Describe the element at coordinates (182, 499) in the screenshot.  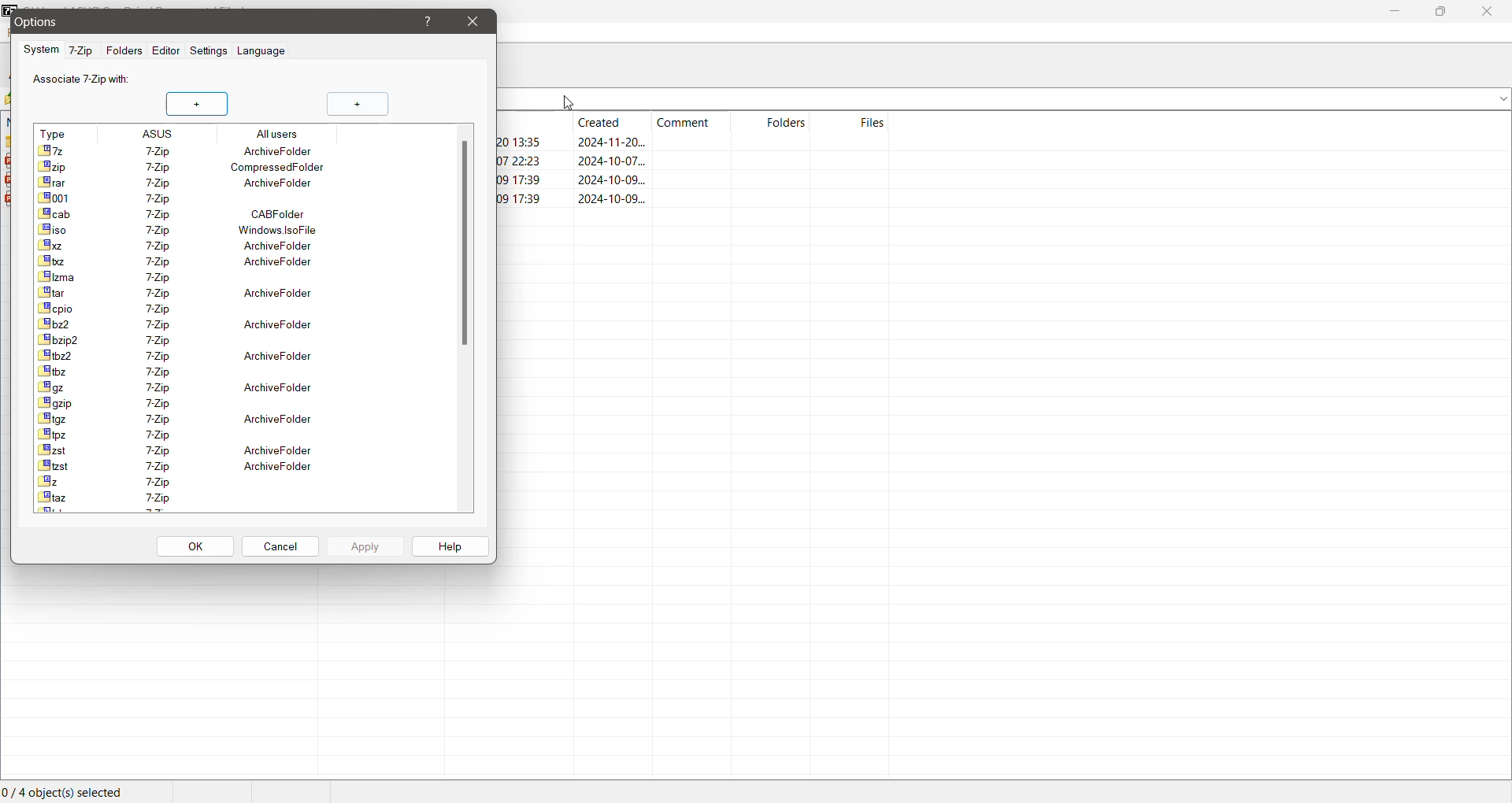
I see `Available system details` at that location.